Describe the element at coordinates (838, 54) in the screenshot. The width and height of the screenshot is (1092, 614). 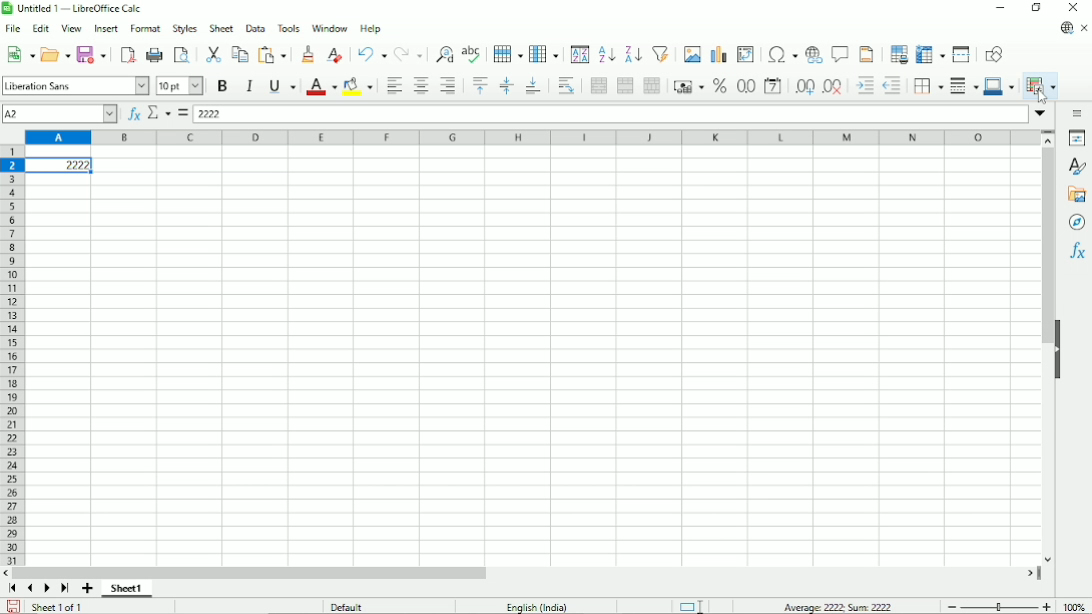
I see `Insert comment` at that location.